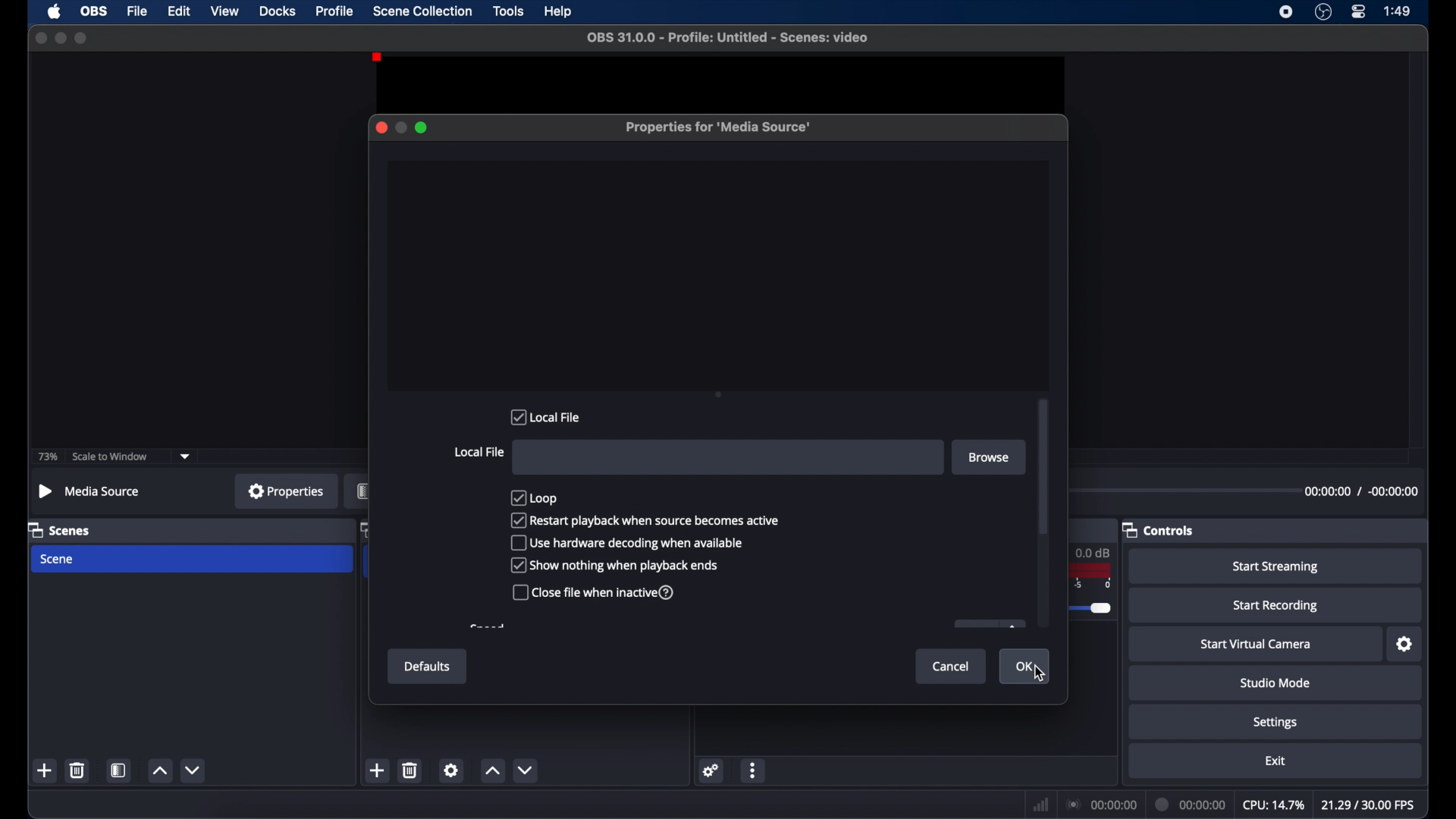 The height and width of the screenshot is (819, 1456). Describe the element at coordinates (595, 592) in the screenshot. I see `checkbox` at that location.